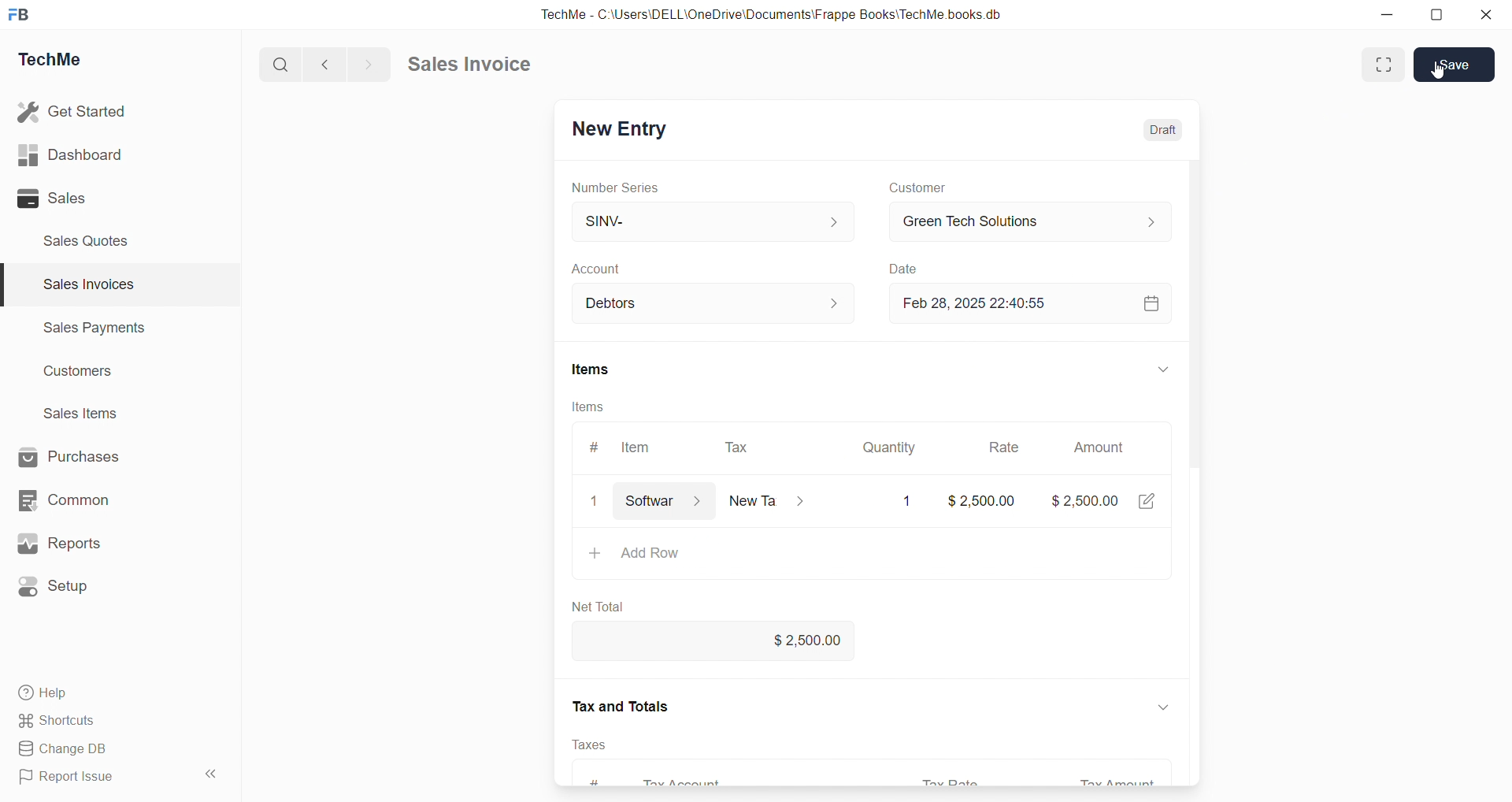  What do you see at coordinates (69, 749) in the screenshot?
I see `Change DB` at bounding box center [69, 749].